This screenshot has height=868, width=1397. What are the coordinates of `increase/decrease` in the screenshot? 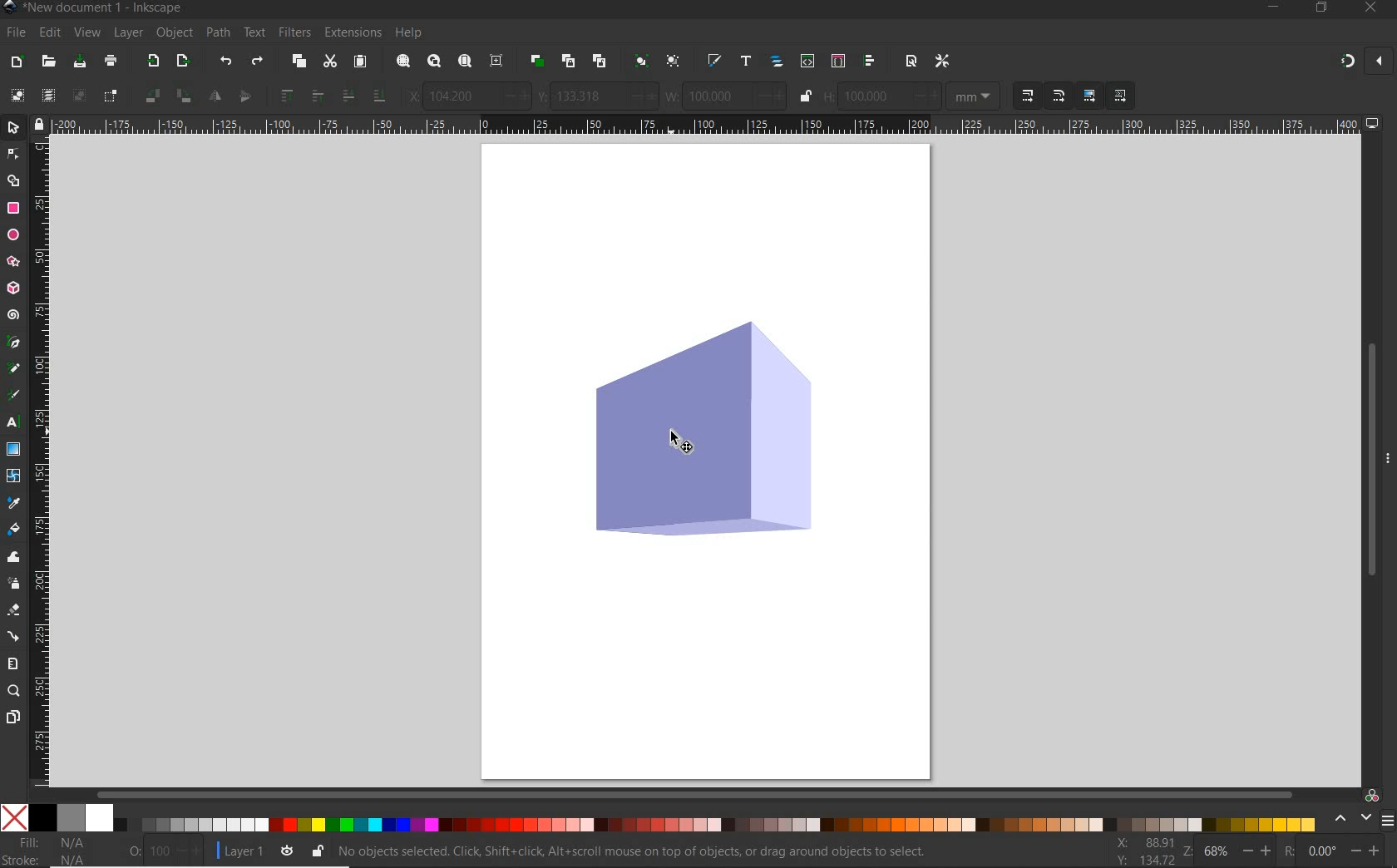 It's located at (924, 96).